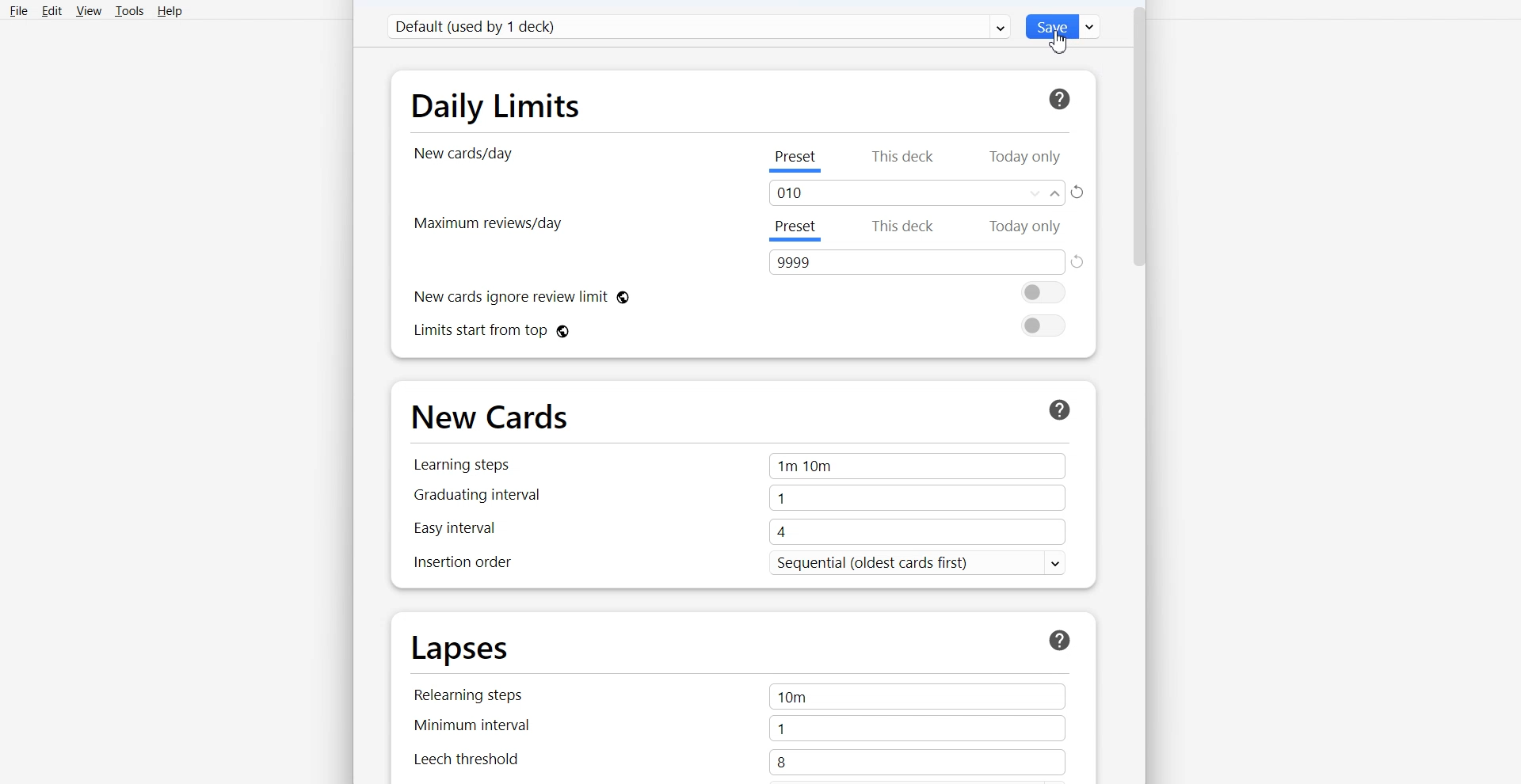 Image resolution: width=1521 pixels, height=784 pixels. Describe the element at coordinates (1058, 97) in the screenshot. I see `For more information` at that location.